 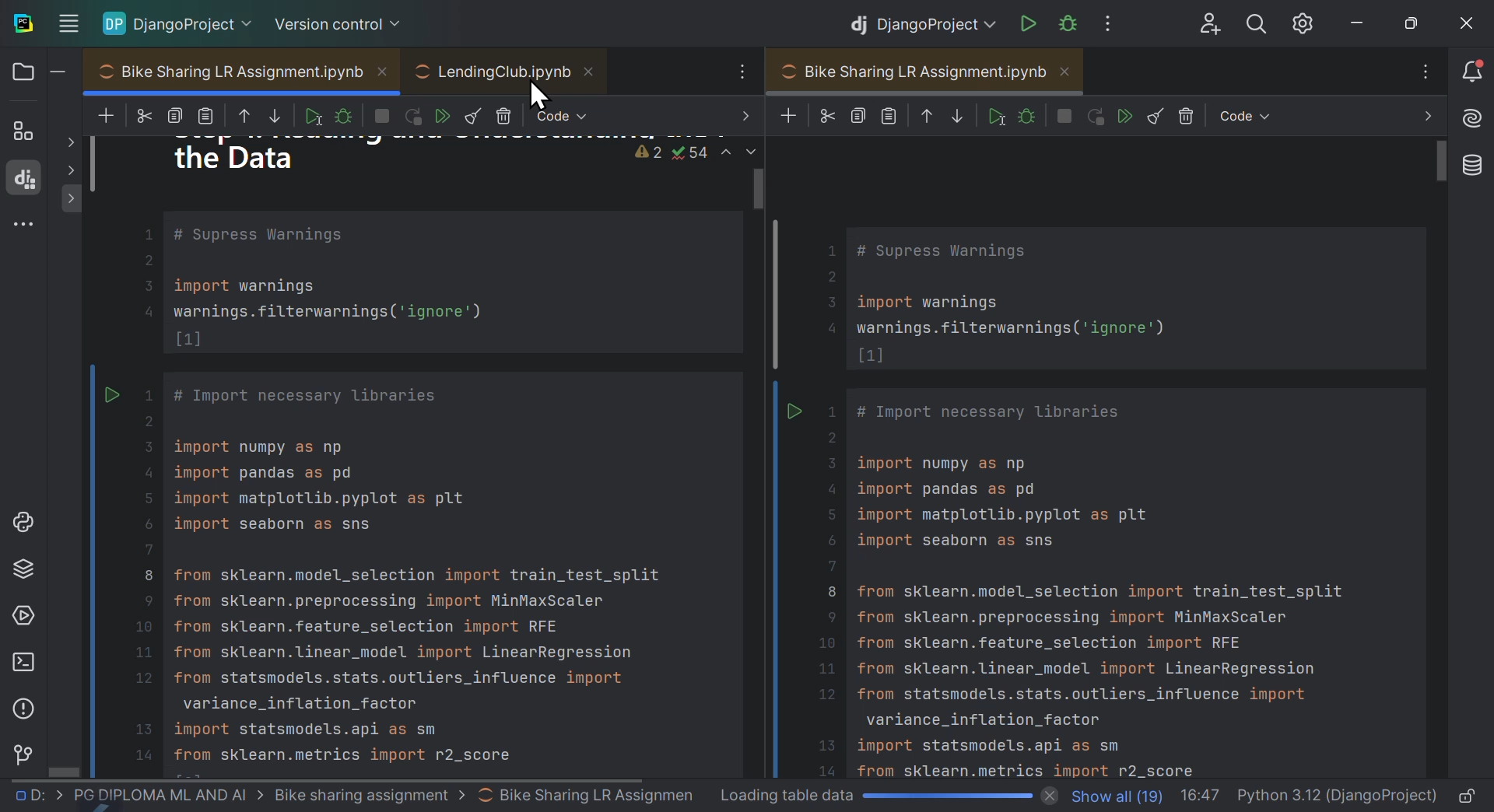 What do you see at coordinates (1309, 796) in the screenshot?
I see `file data` at bounding box center [1309, 796].